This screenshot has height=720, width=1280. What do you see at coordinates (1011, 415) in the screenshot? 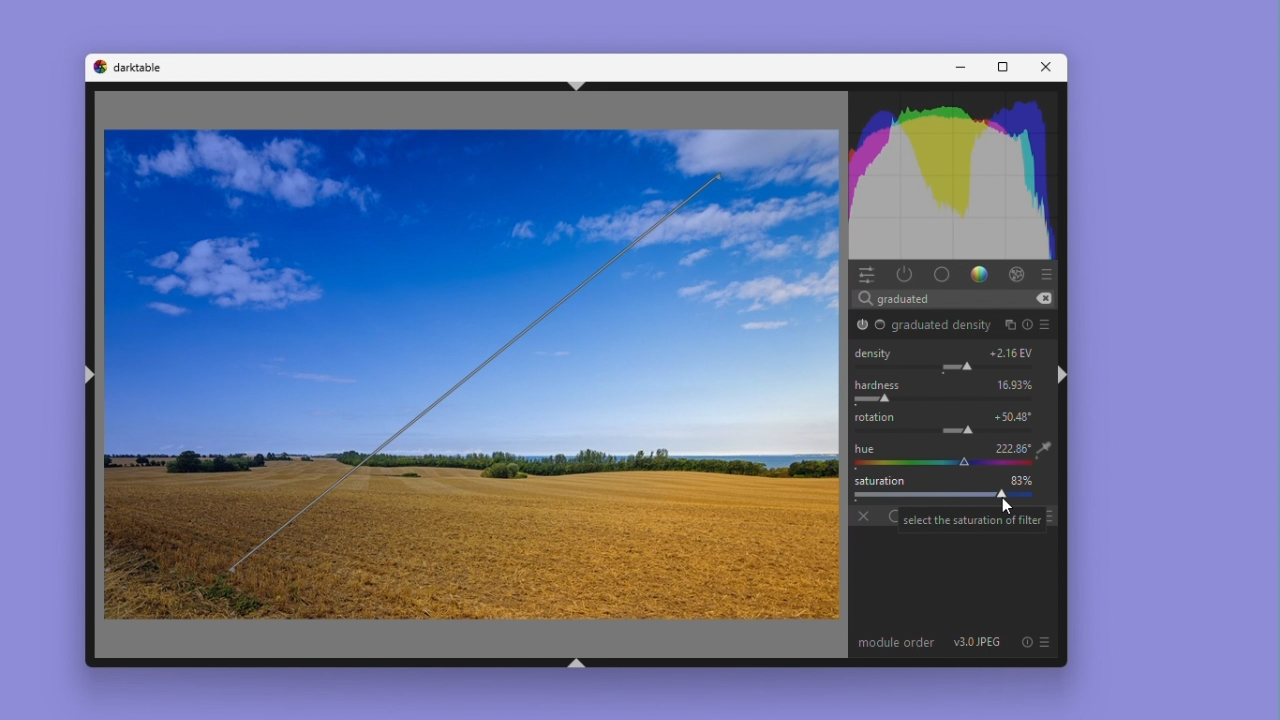
I see `+ 50.48 degrees` at bounding box center [1011, 415].